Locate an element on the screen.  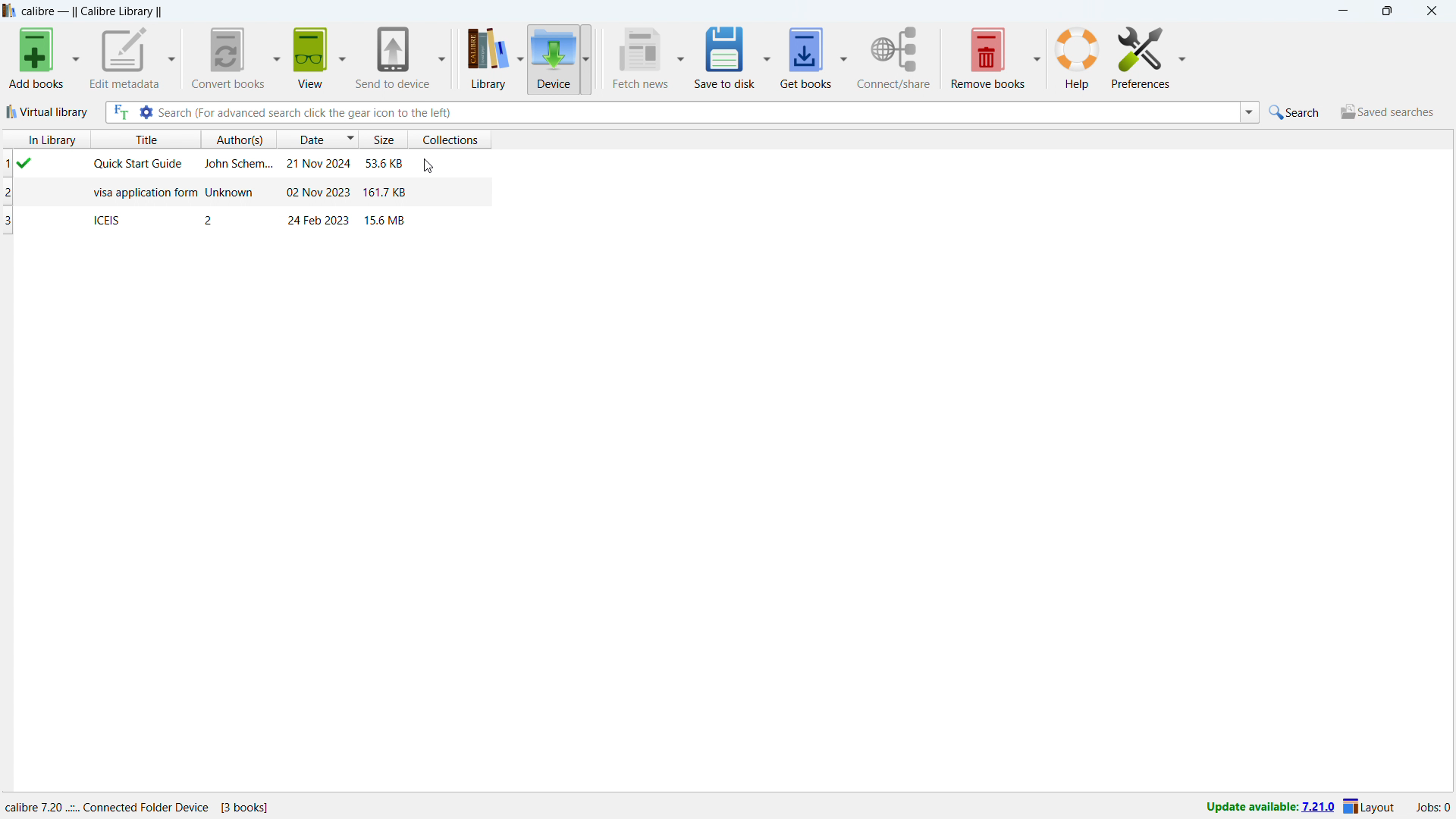
minimize is located at coordinates (1342, 11).